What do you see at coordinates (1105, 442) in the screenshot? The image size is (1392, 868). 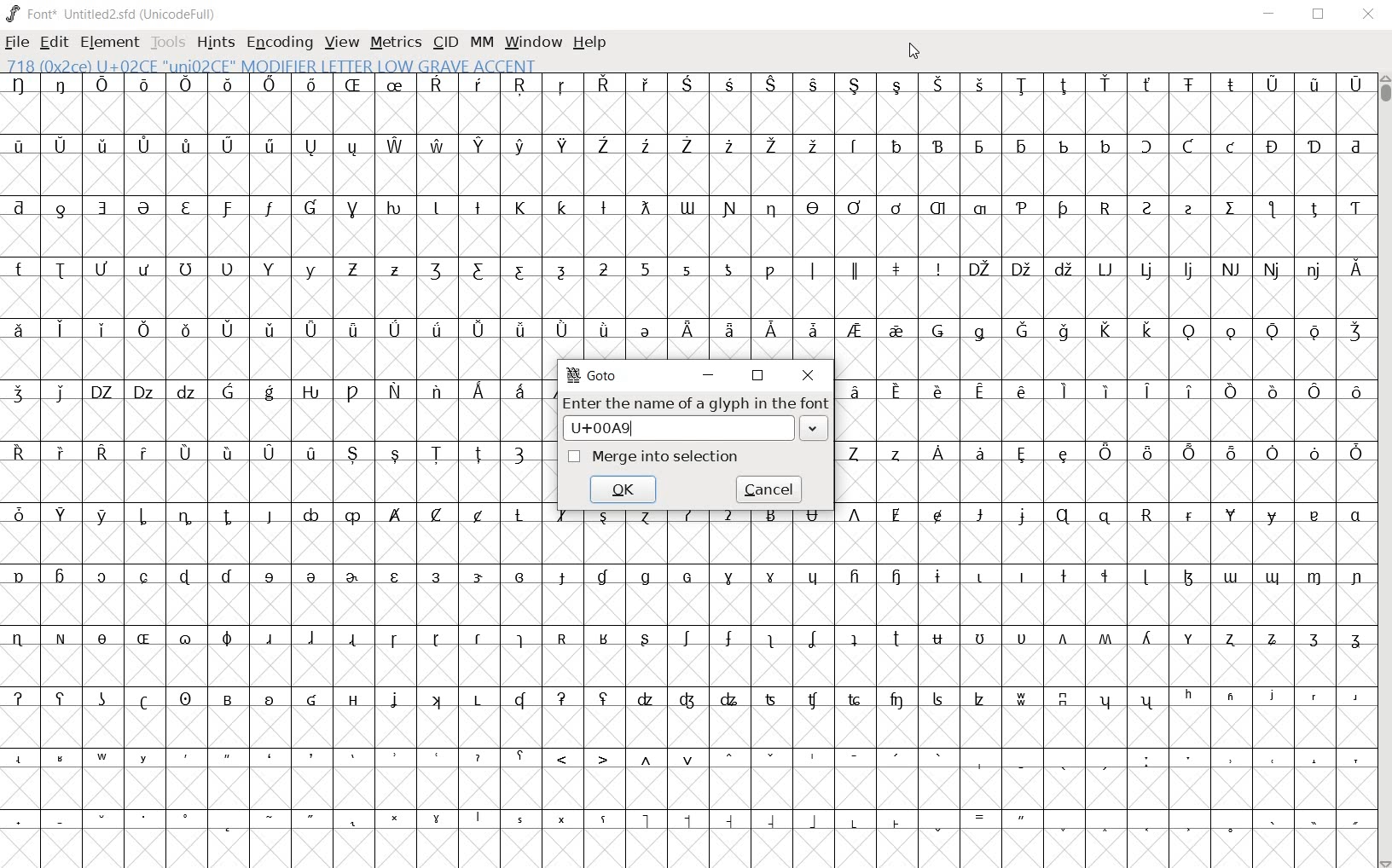 I see `glyph characters` at bounding box center [1105, 442].